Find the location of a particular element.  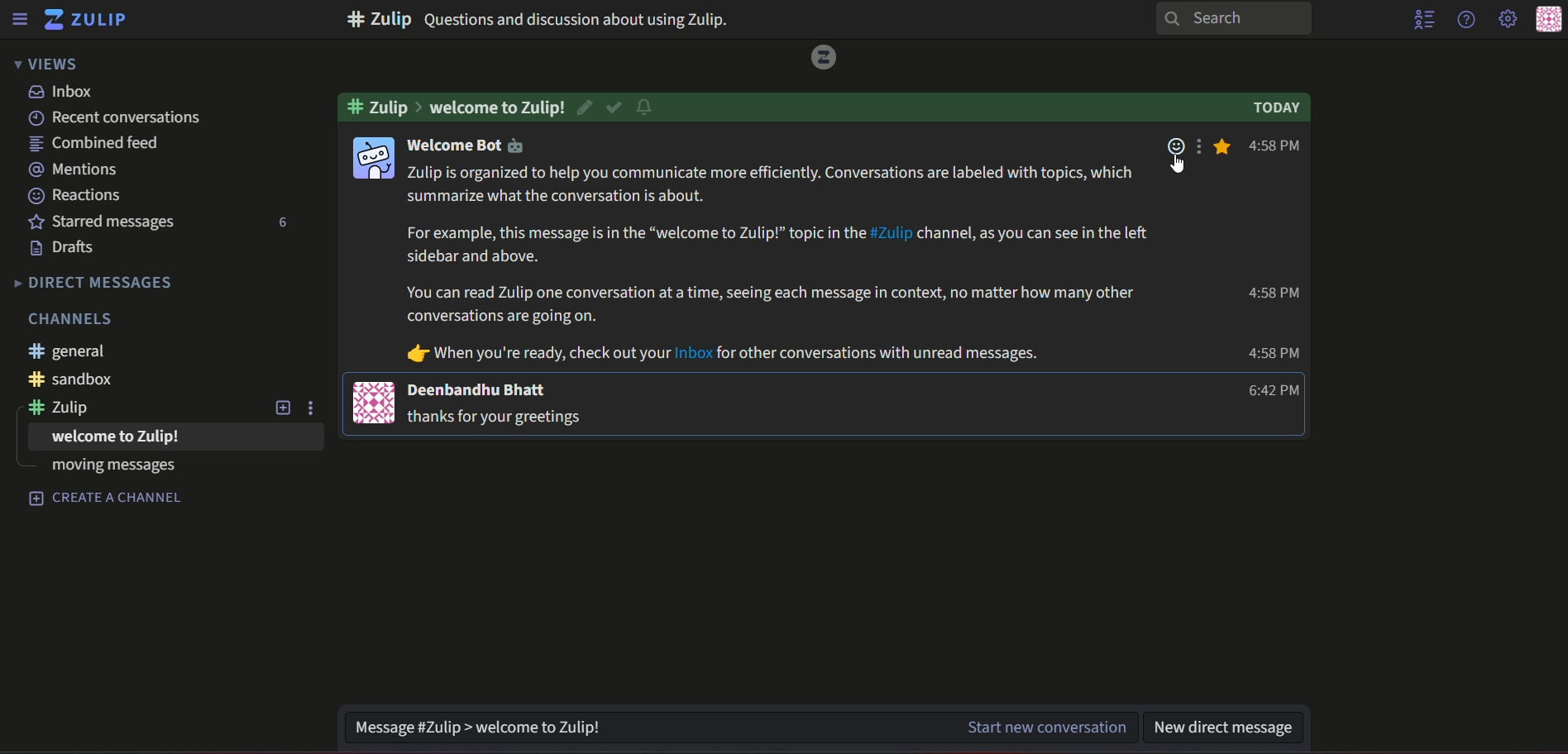

time is located at coordinates (1276, 391).